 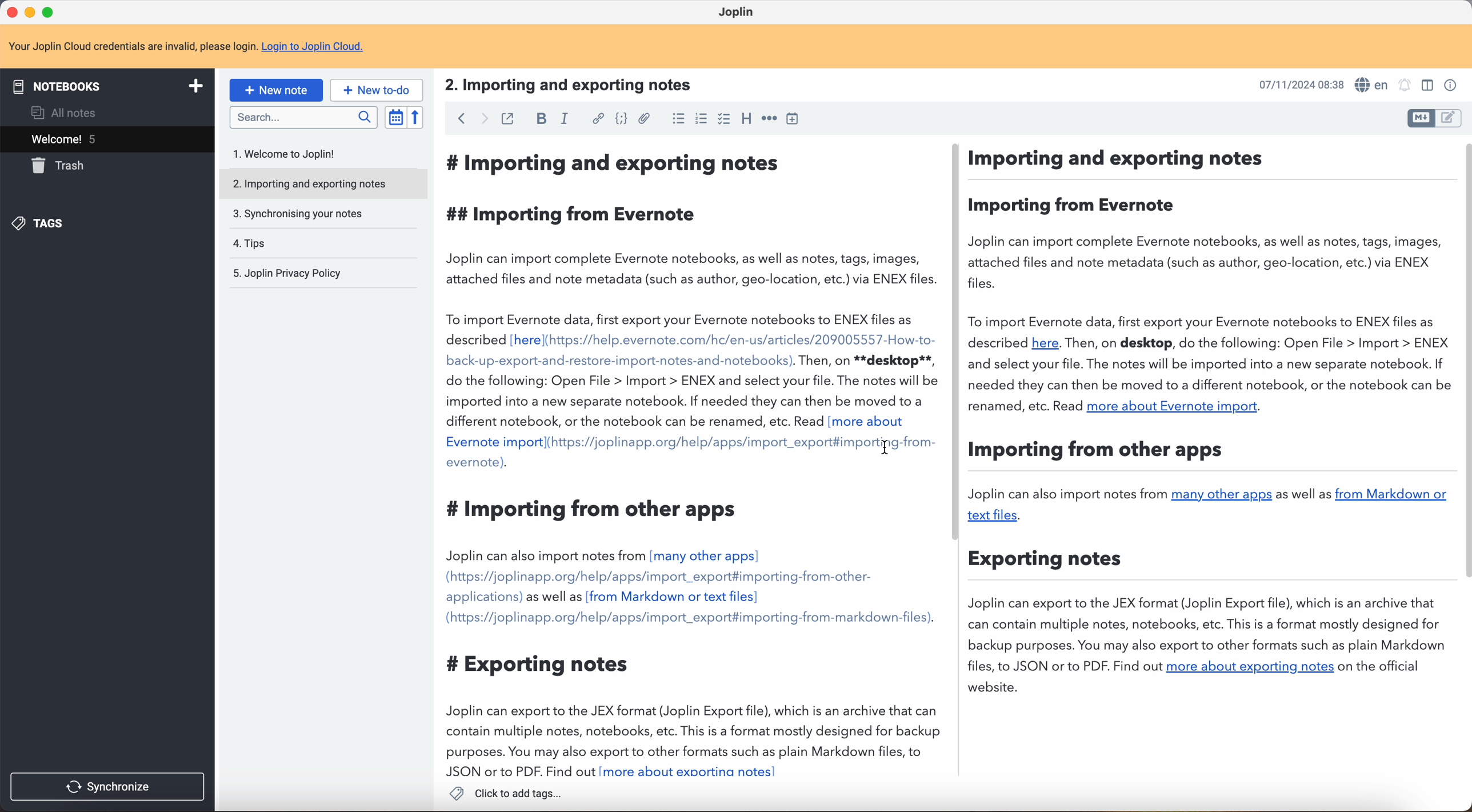 I want to click on welcome 5, so click(x=106, y=139).